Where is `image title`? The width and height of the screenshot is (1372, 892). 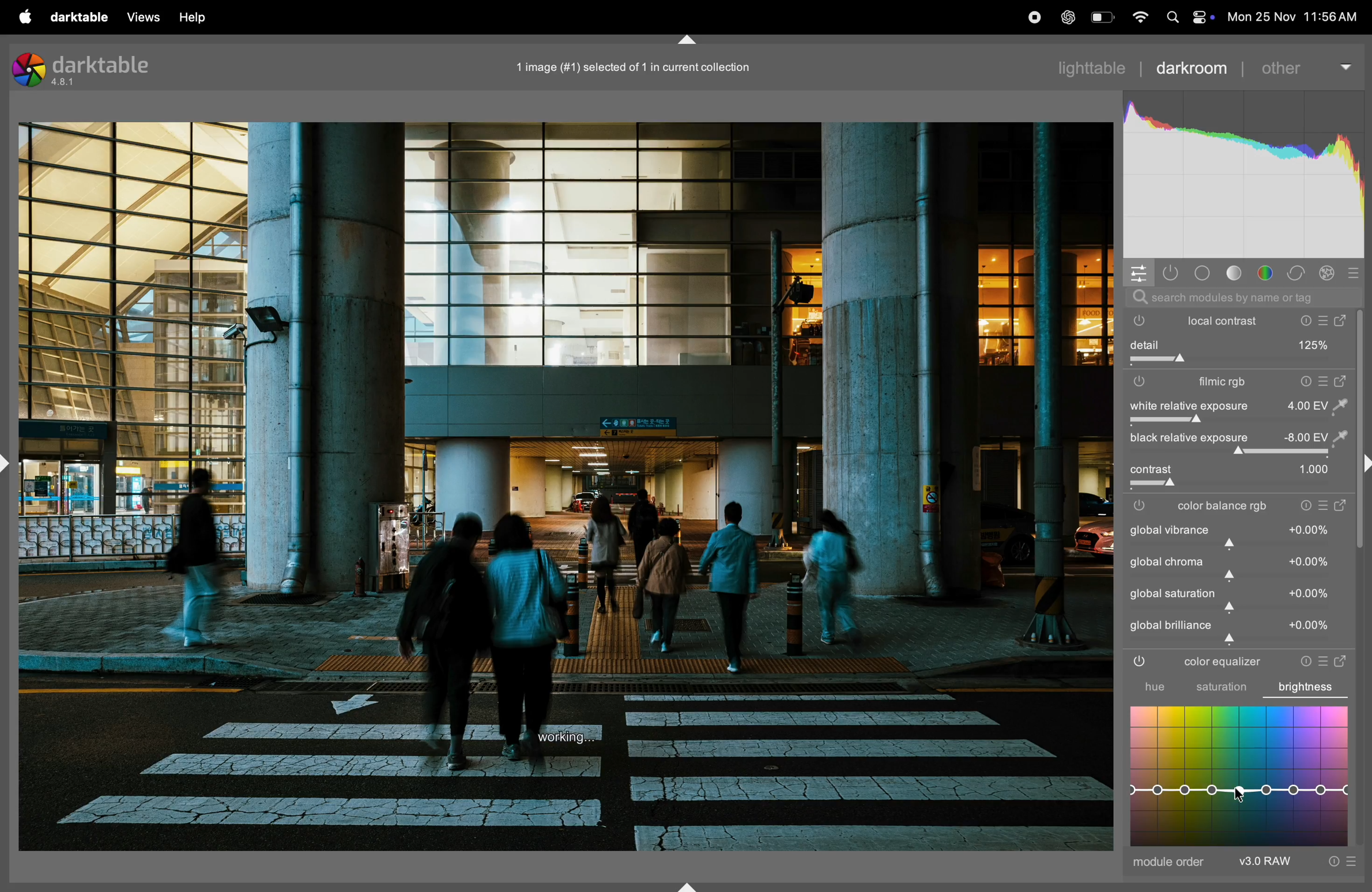 image title is located at coordinates (650, 67).